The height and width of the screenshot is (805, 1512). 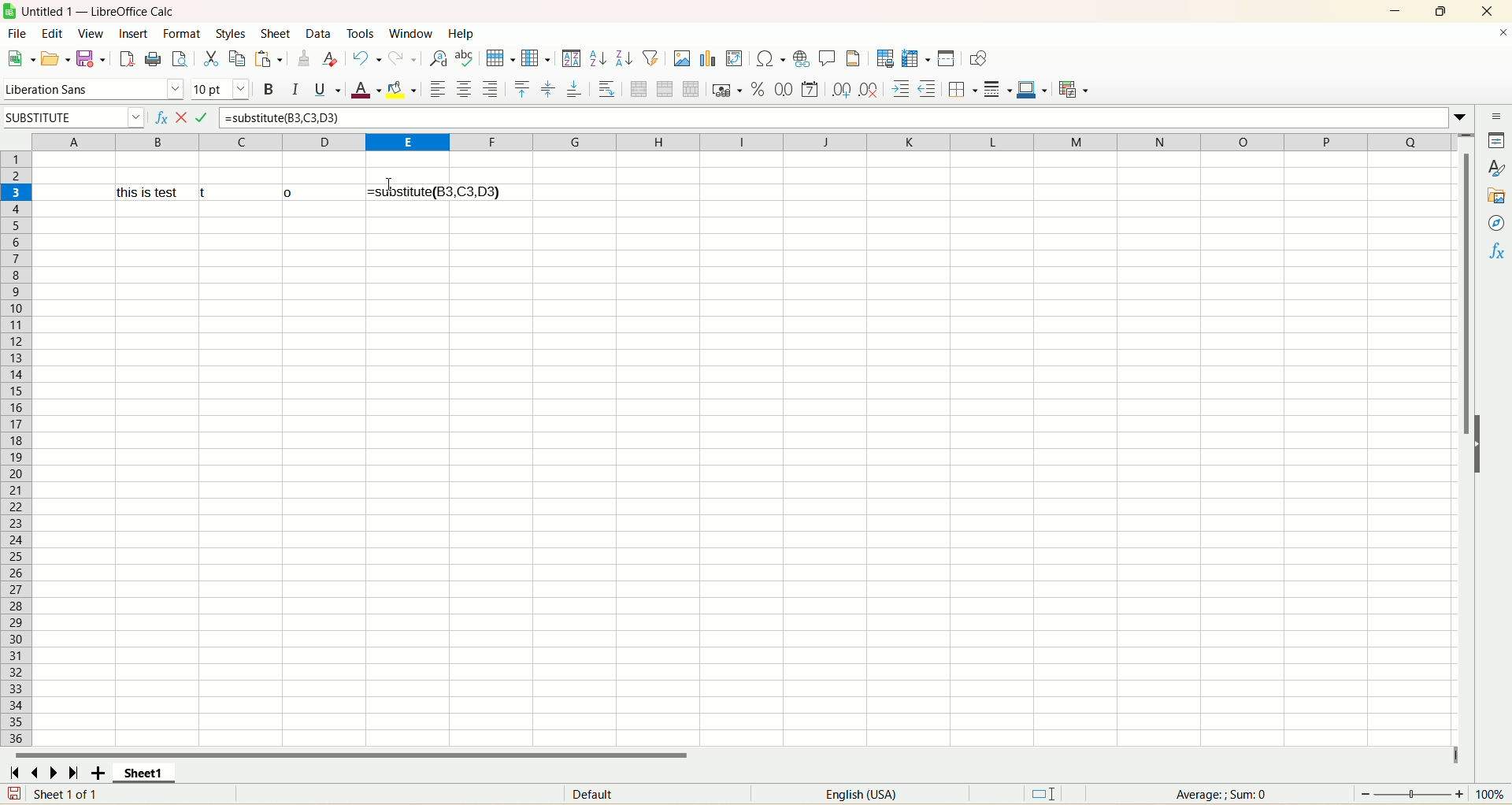 I want to click on background color, so click(x=404, y=90).